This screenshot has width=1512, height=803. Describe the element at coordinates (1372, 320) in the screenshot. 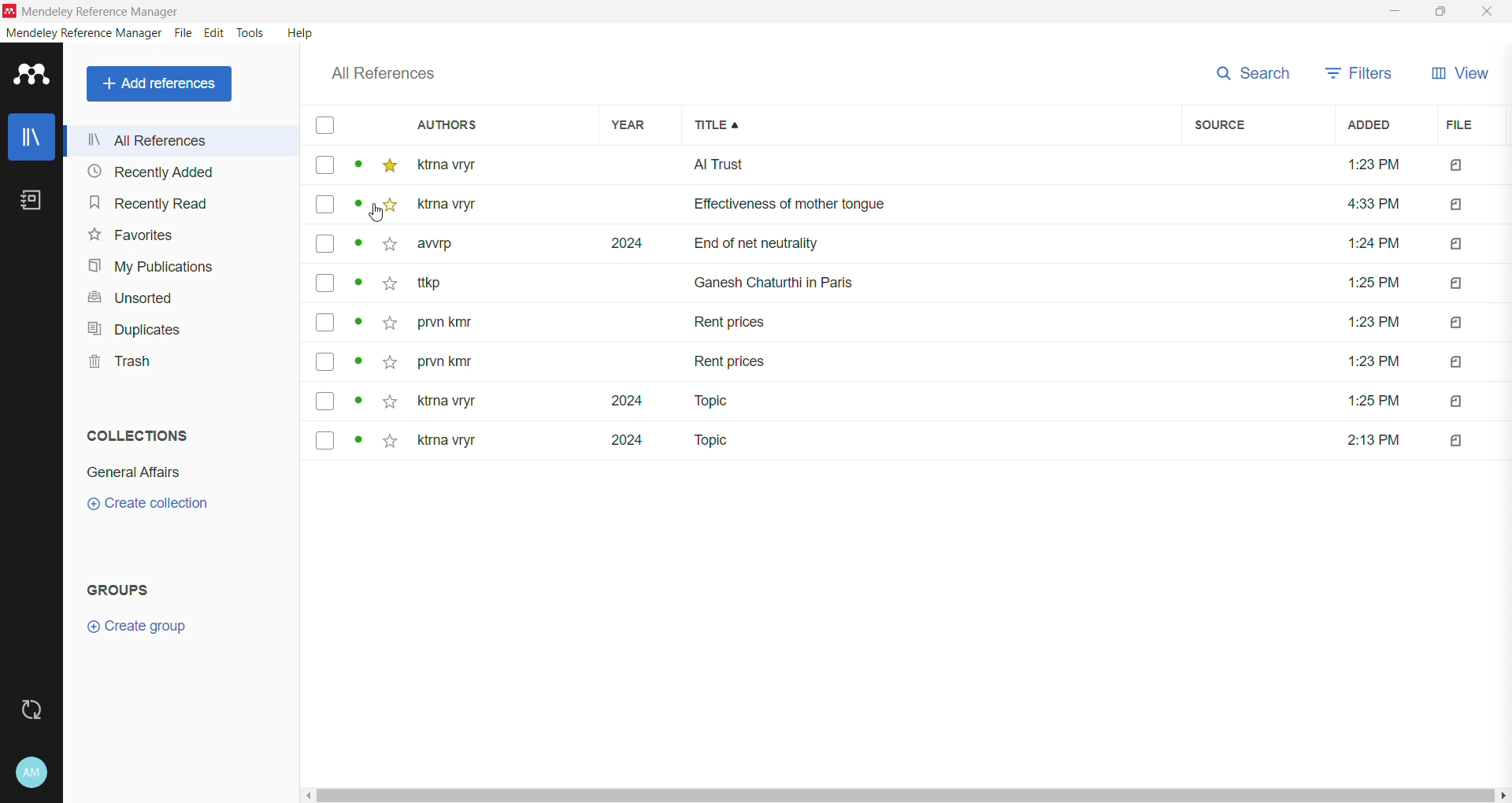

I see `` at that location.